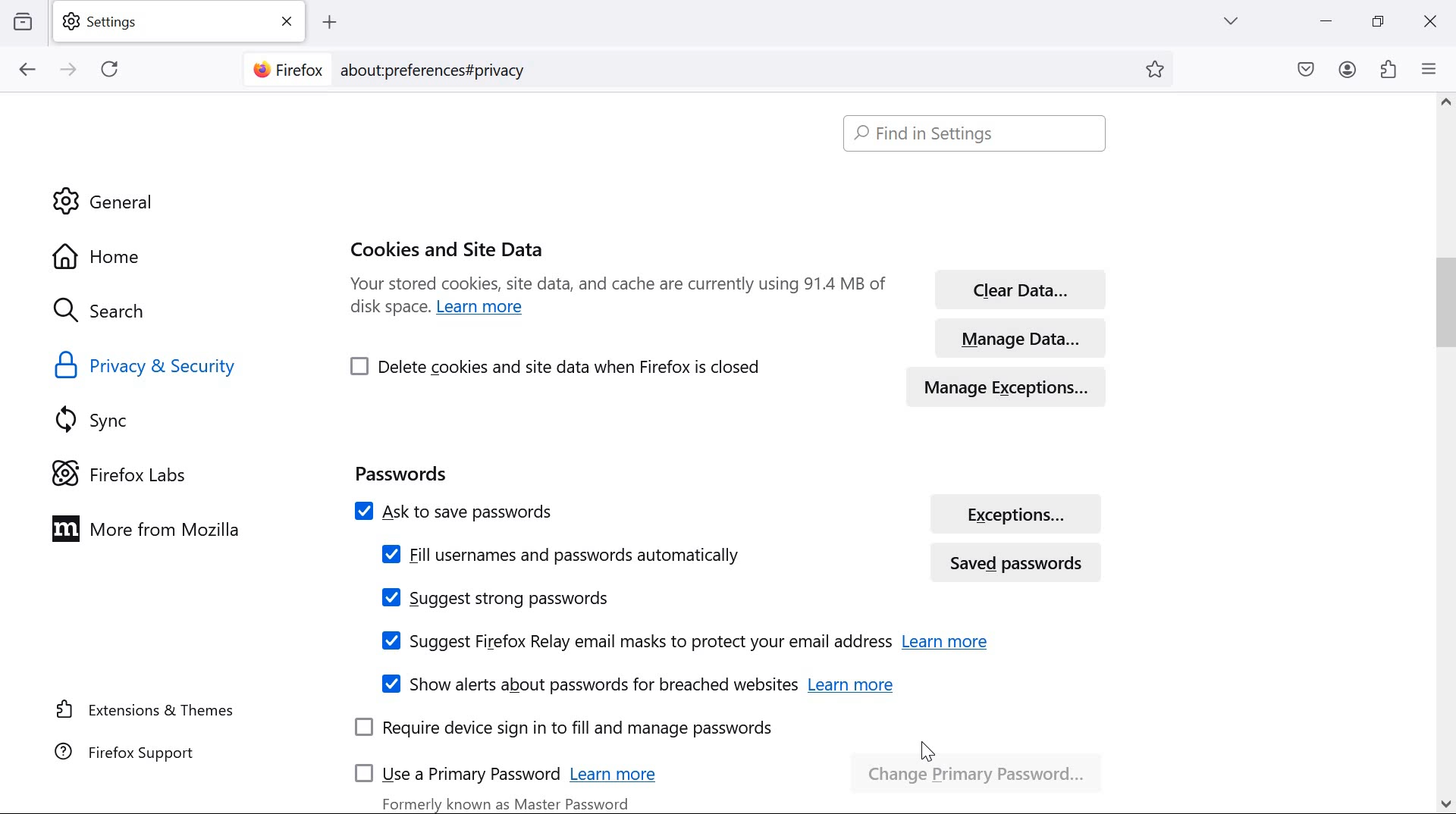  What do you see at coordinates (617, 509) in the screenshot?
I see `Ask to save passwords` at bounding box center [617, 509].